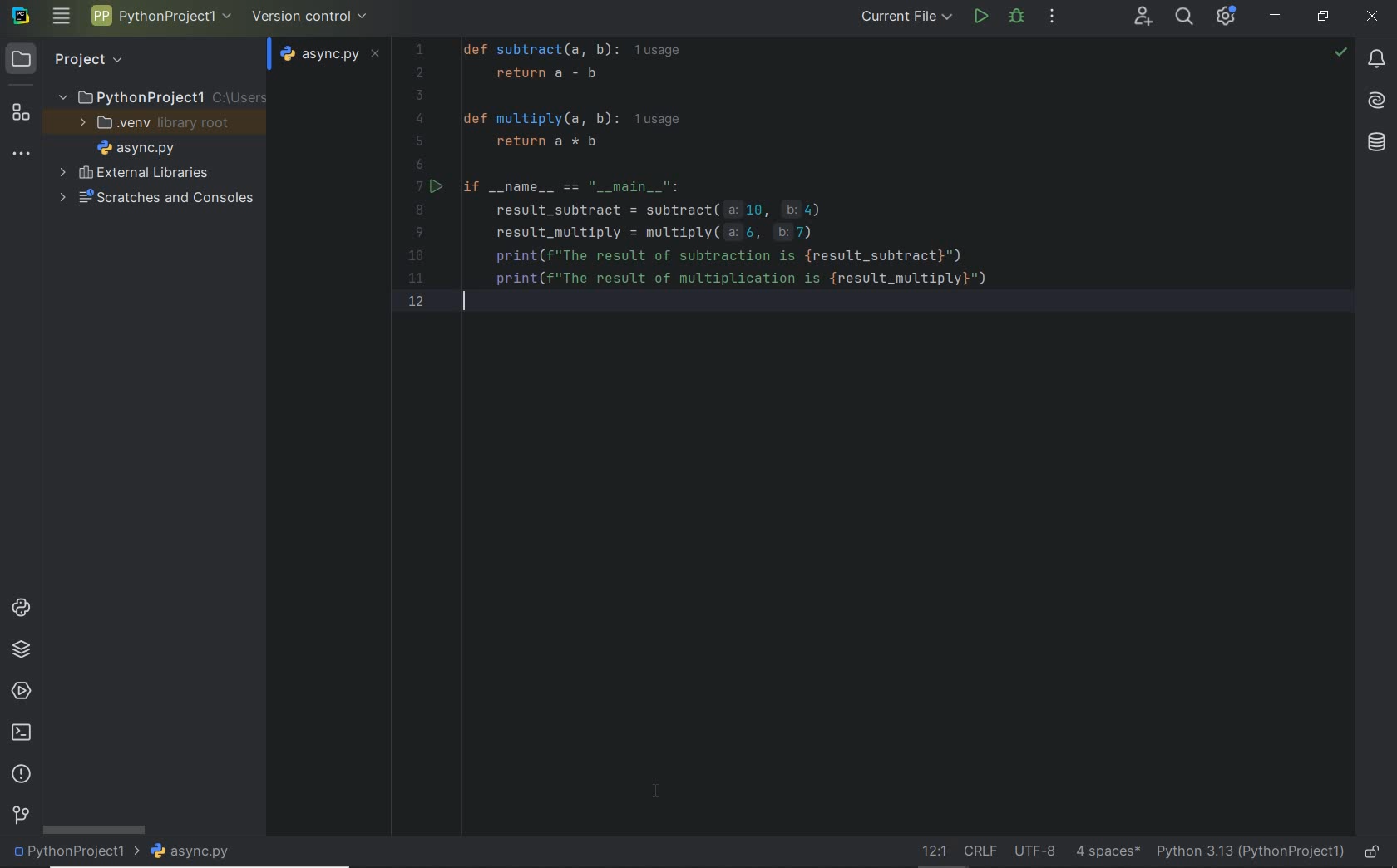 The image size is (1397, 868). Describe the element at coordinates (93, 830) in the screenshot. I see `scrollbar` at that location.